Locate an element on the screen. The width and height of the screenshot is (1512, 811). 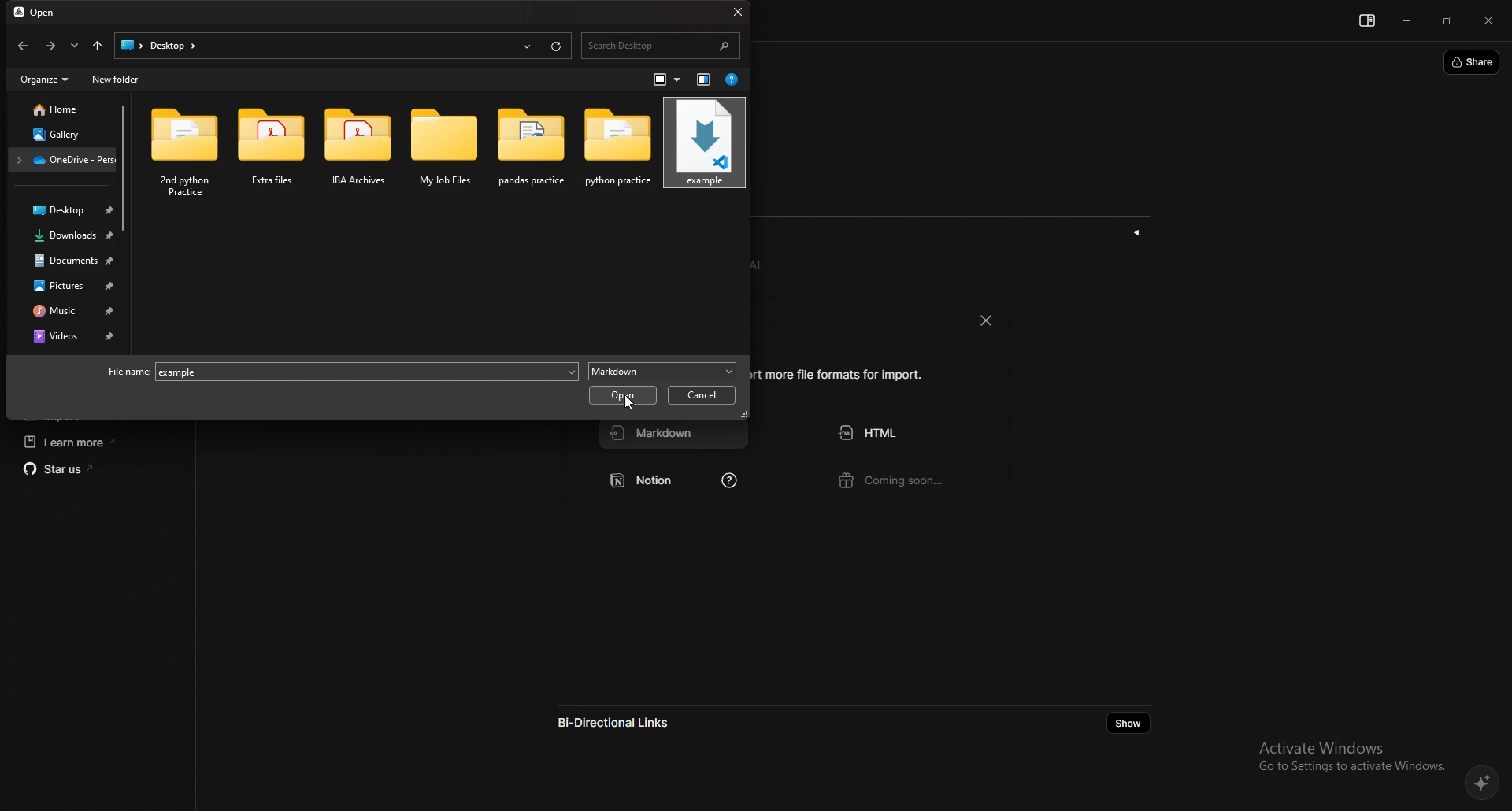
cursor is located at coordinates (628, 403).